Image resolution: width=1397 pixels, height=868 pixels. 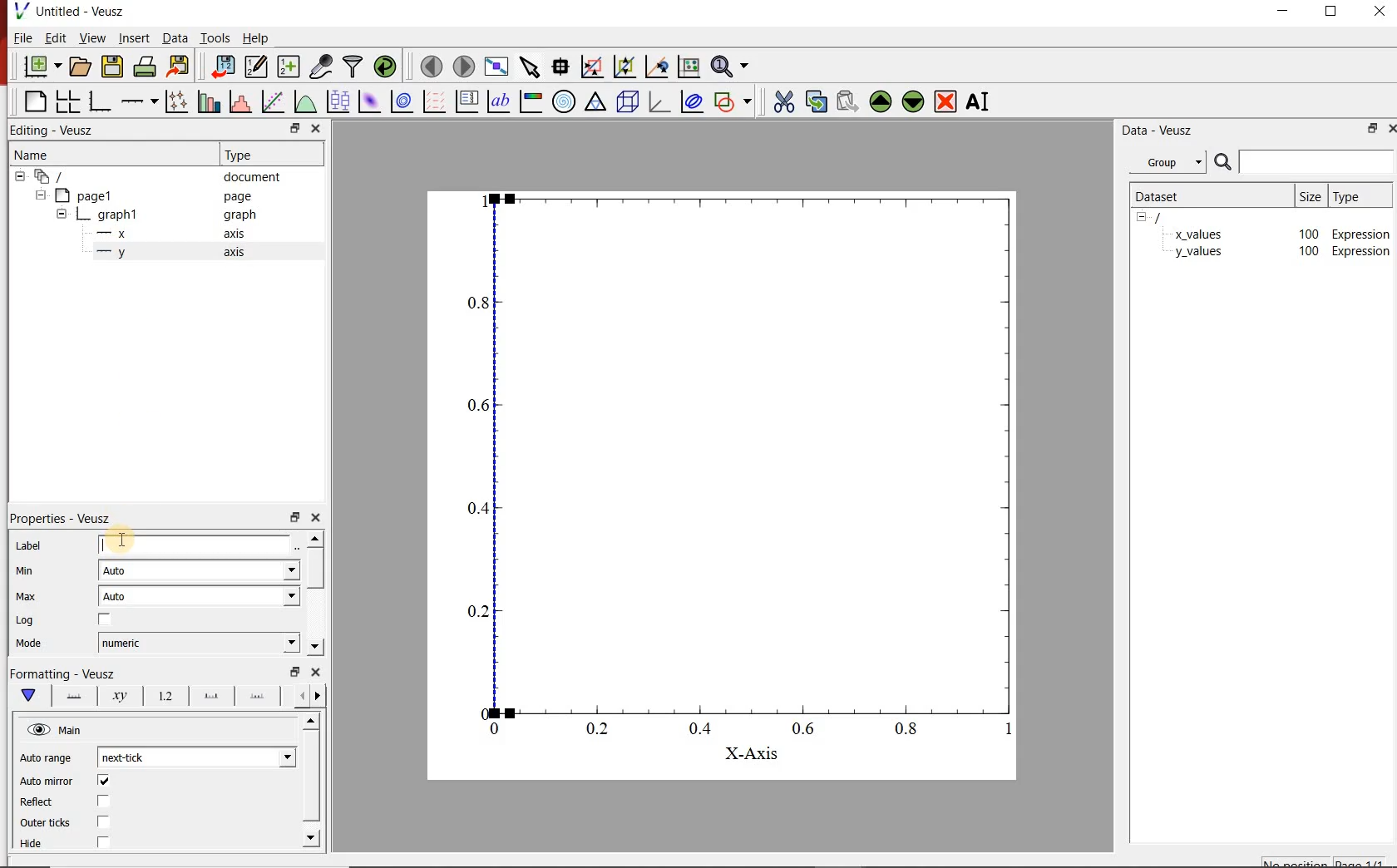 What do you see at coordinates (1198, 233) in the screenshot?
I see `x_values` at bounding box center [1198, 233].